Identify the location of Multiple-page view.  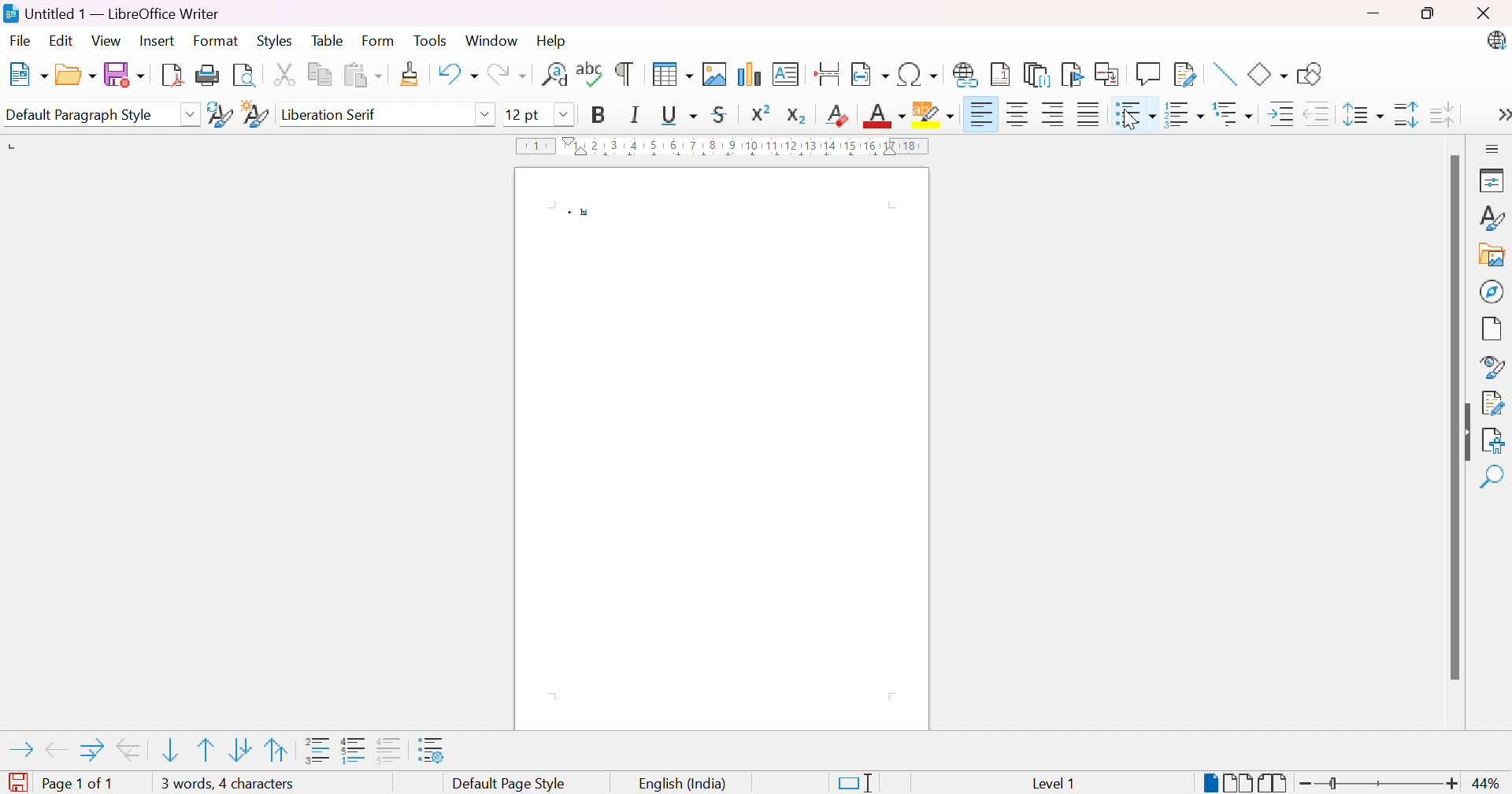
(1238, 784).